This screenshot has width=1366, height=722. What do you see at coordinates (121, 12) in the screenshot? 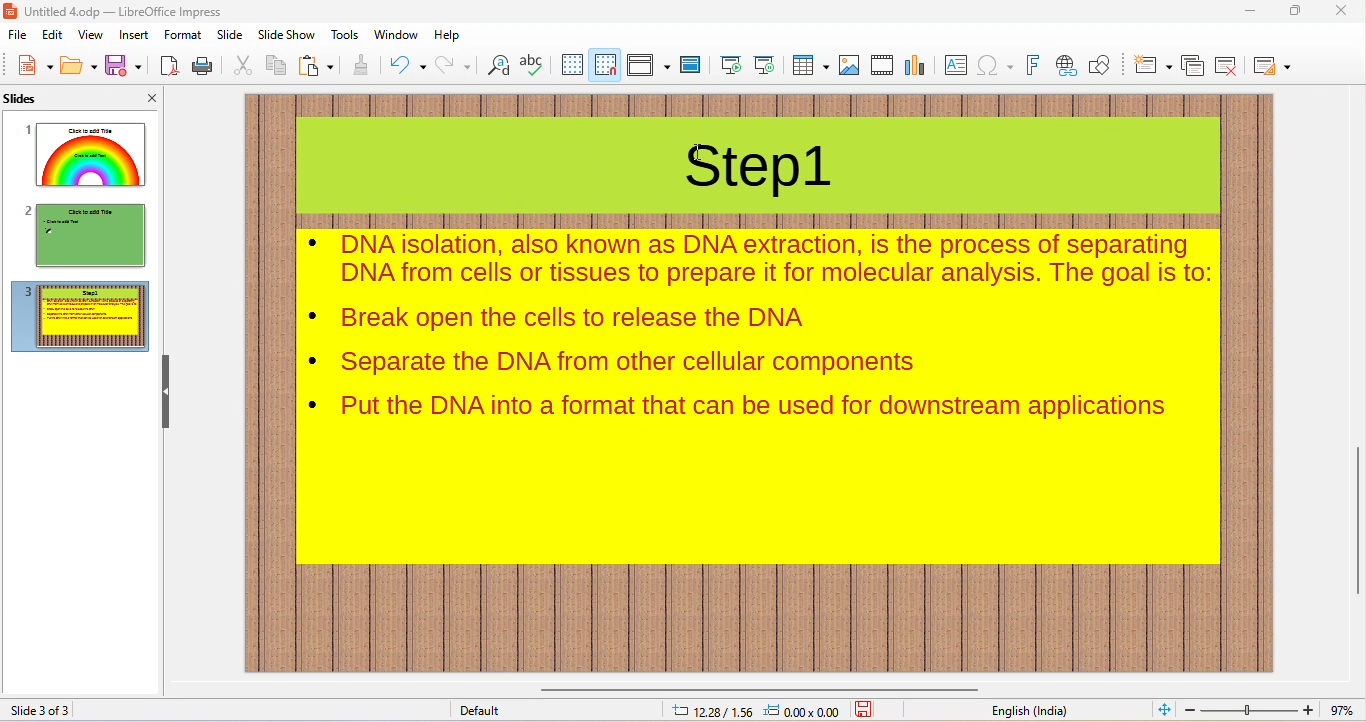
I see `title` at bounding box center [121, 12].